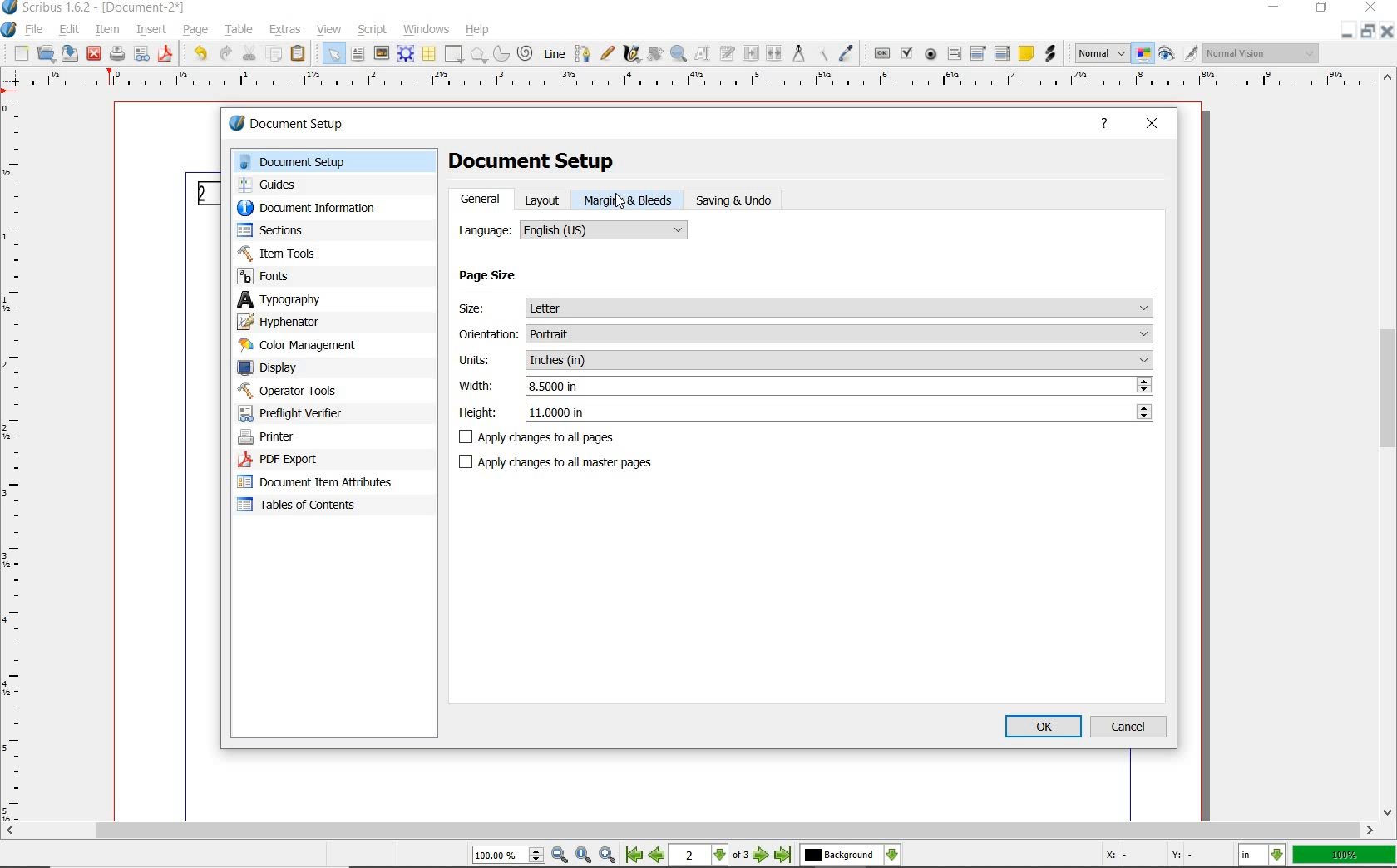  I want to click on First Page, so click(634, 856).